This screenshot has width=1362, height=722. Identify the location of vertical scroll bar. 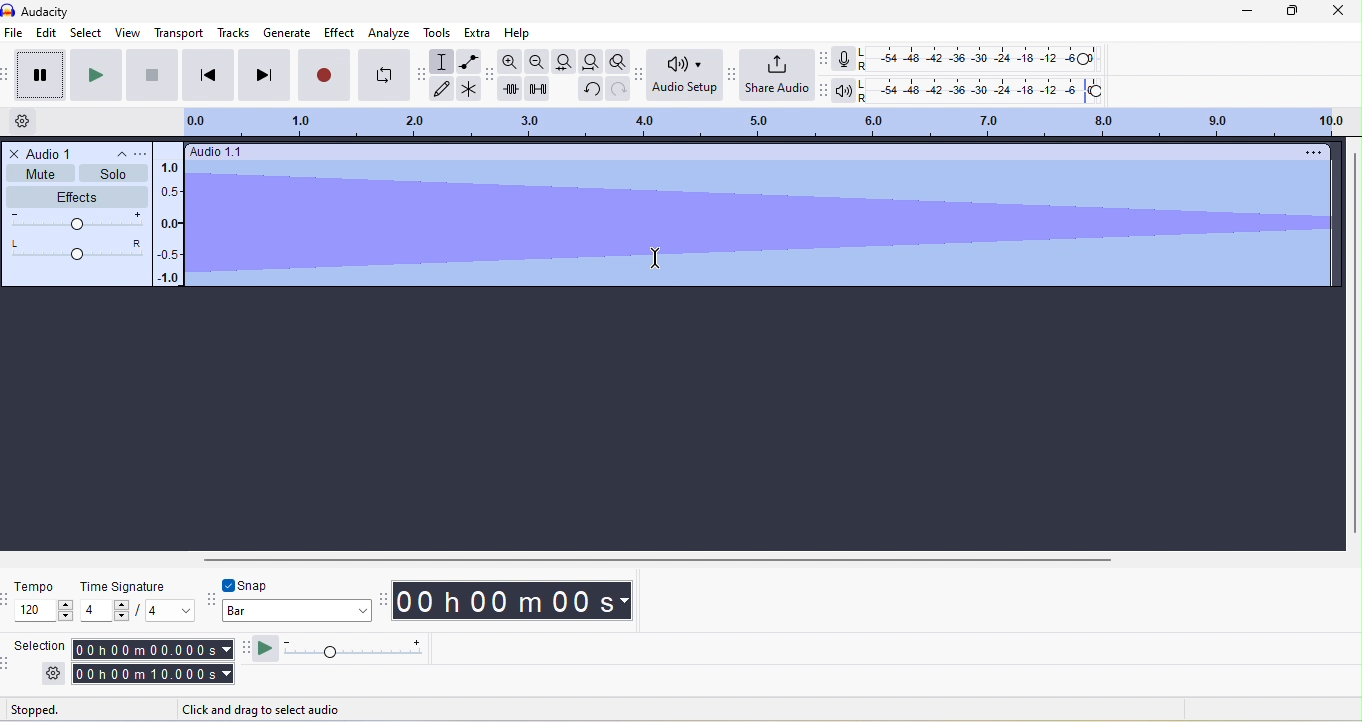
(1353, 343).